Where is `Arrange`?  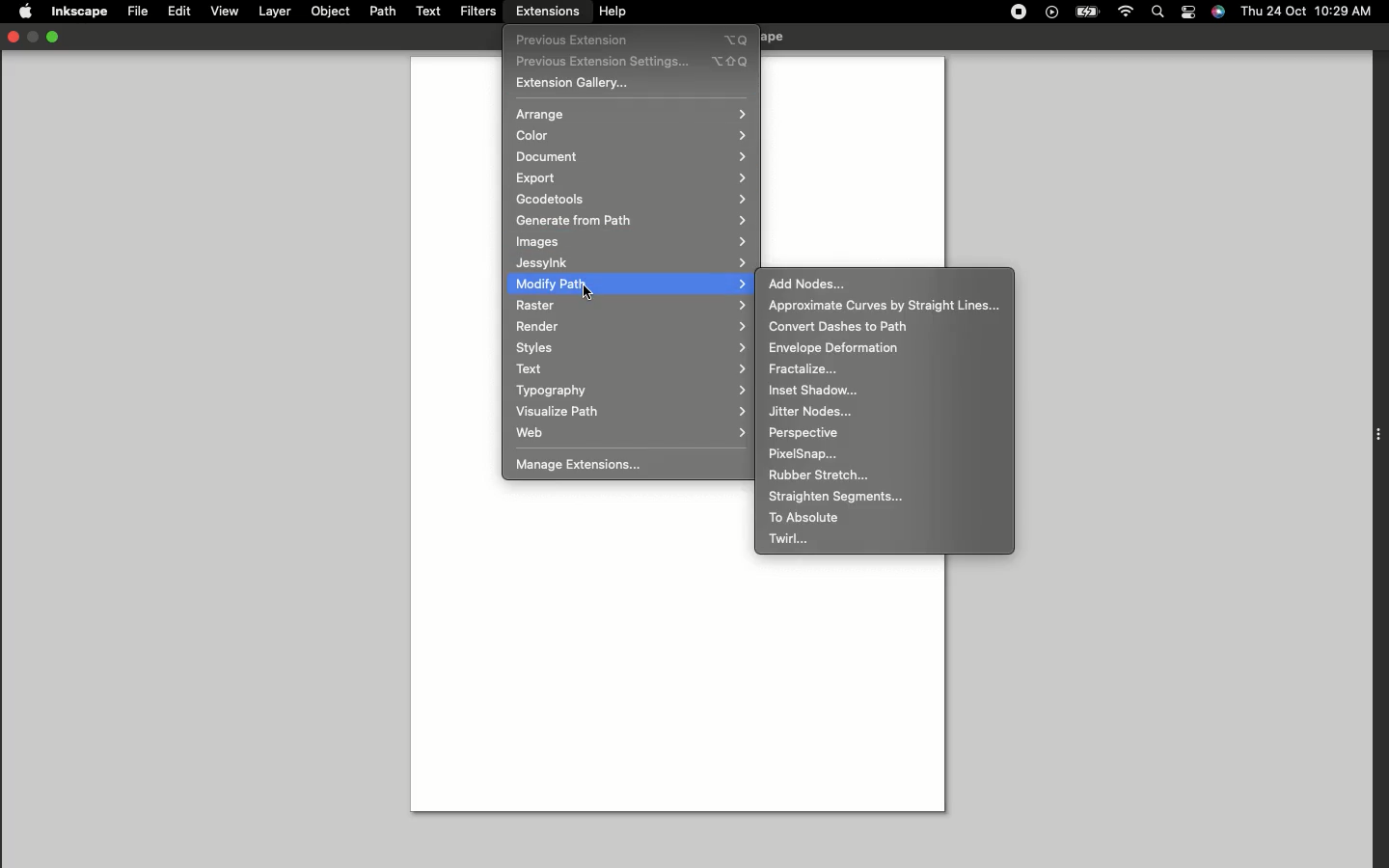
Arrange is located at coordinates (633, 113).